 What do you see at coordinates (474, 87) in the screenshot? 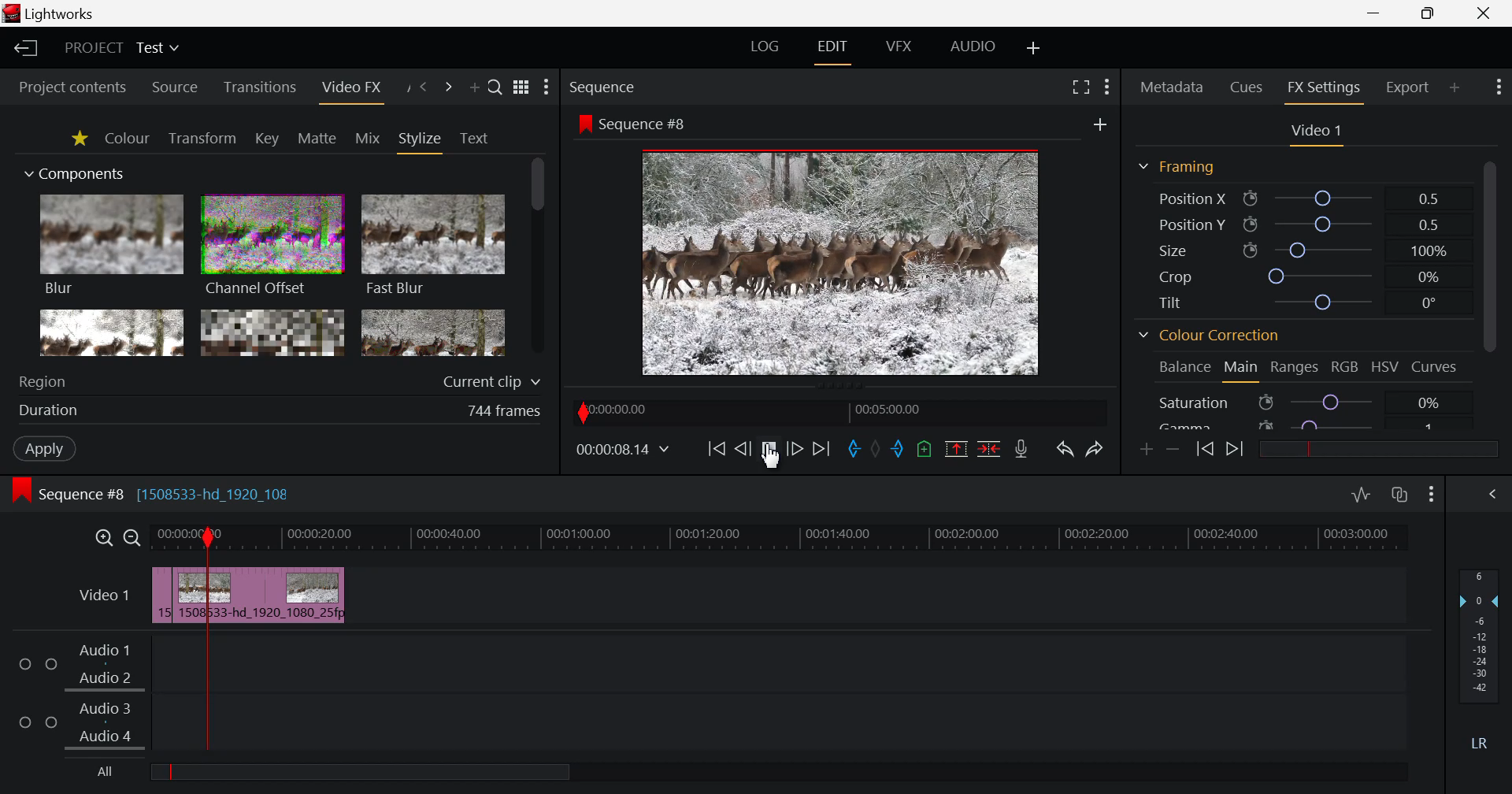
I see `Add Panel` at bounding box center [474, 87].